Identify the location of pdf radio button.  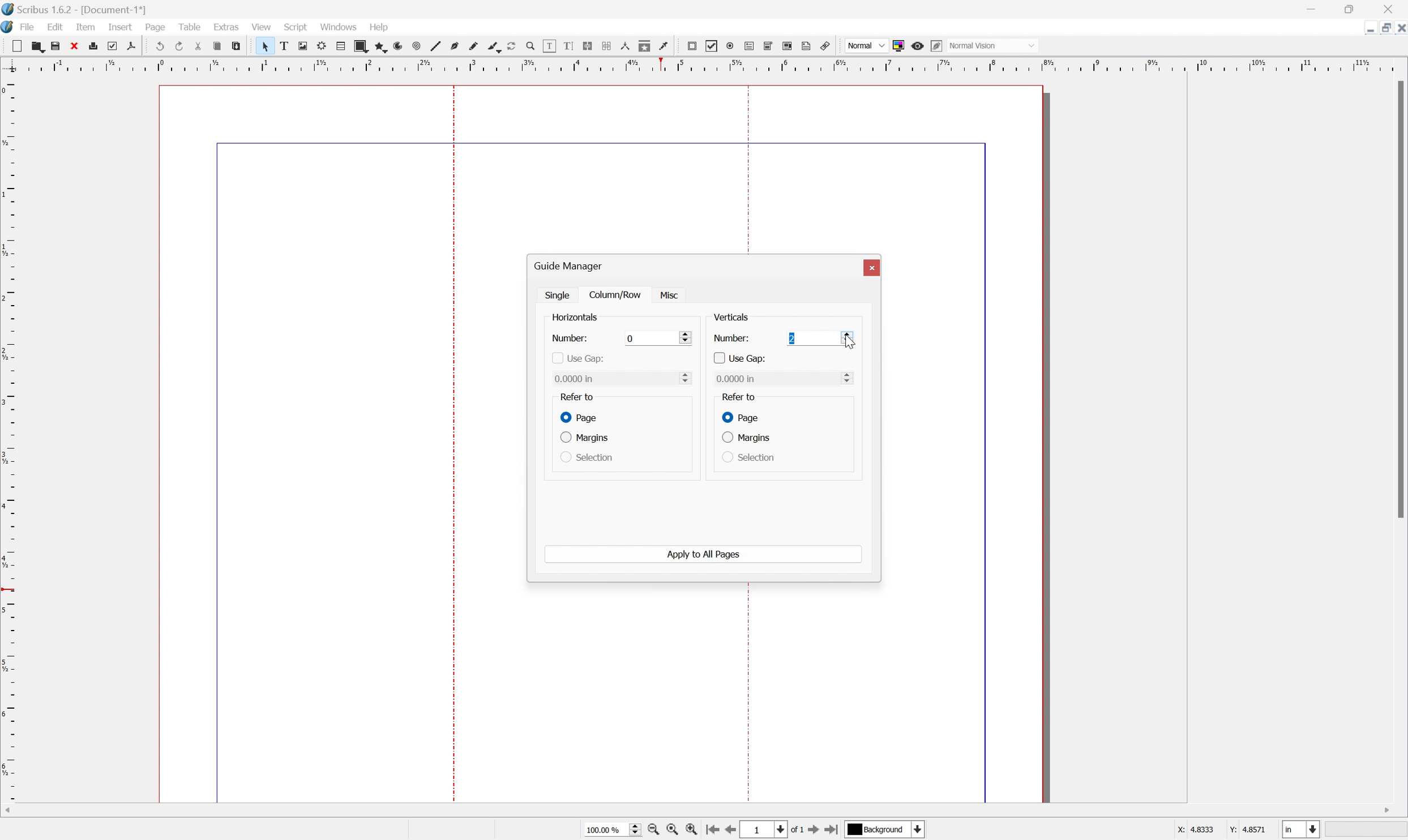
(731, 45).